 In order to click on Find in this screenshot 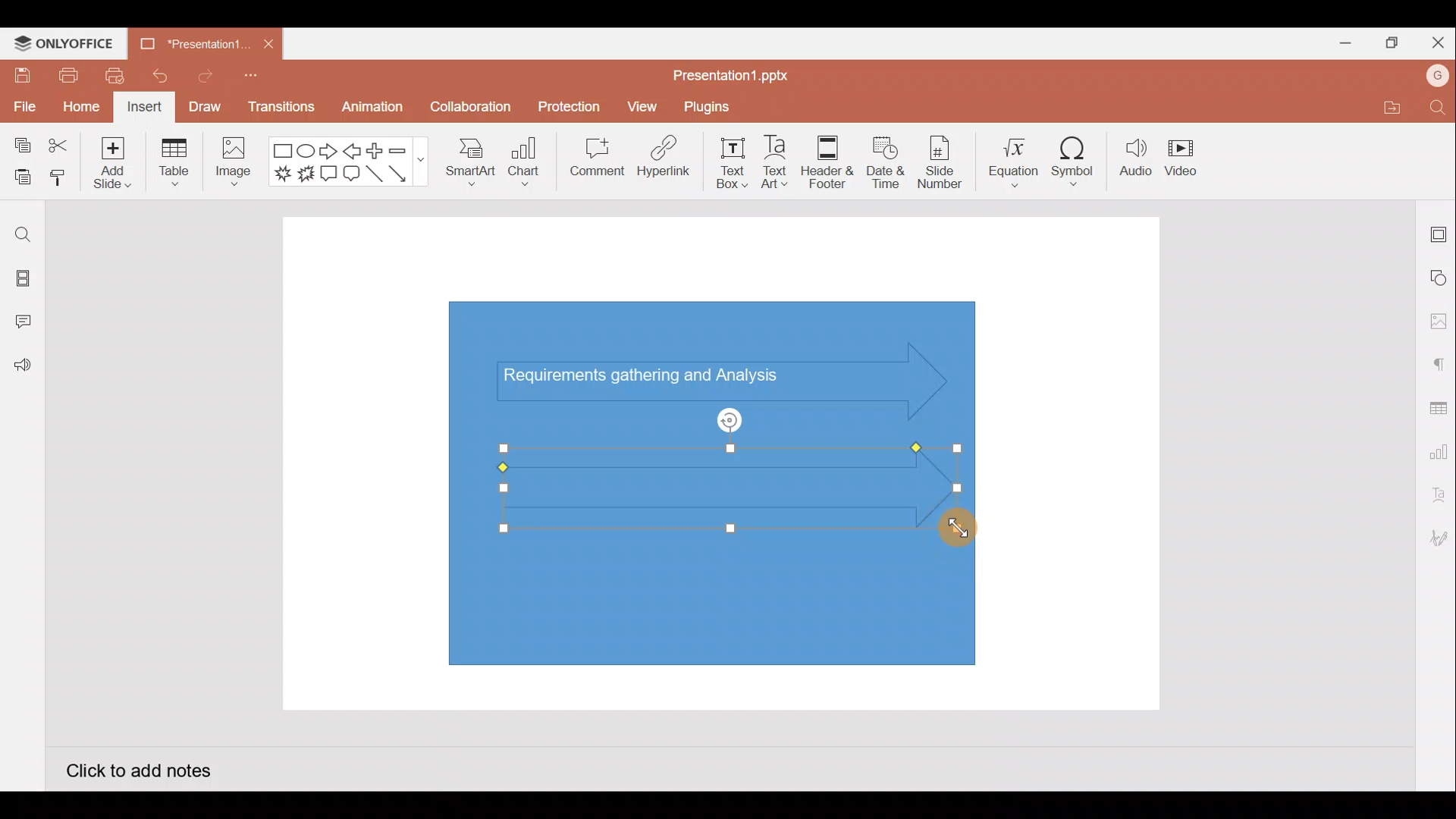, I will do `click(1439, 107)`.